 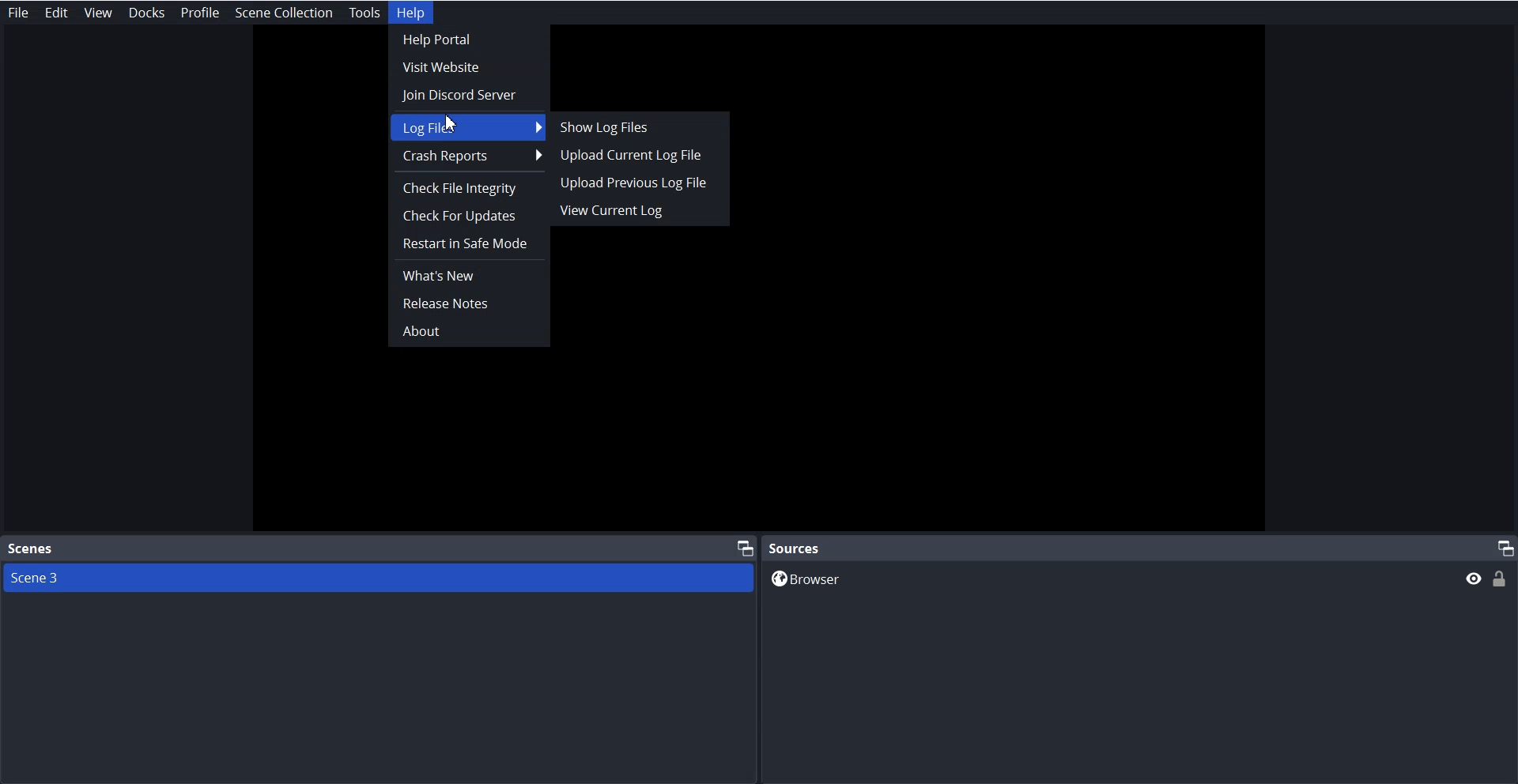 What do you see at coordinates (632, 126) in the screenshot?
I see `Show Log Files` at bounding box center [632, 126].